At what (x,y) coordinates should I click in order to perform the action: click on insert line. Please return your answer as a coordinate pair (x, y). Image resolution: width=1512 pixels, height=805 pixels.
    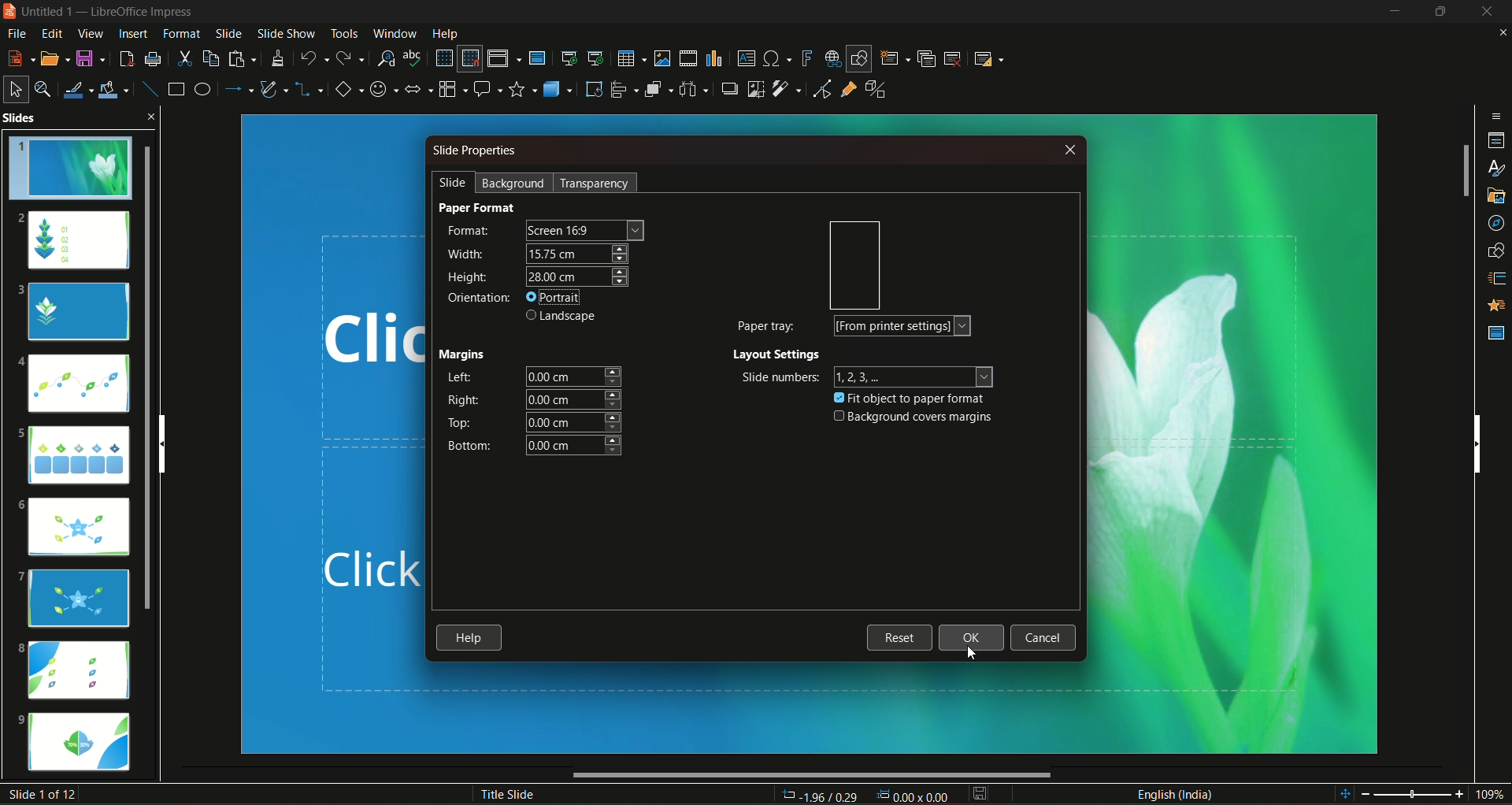
    Looking at the image, I should click on (148, 86).